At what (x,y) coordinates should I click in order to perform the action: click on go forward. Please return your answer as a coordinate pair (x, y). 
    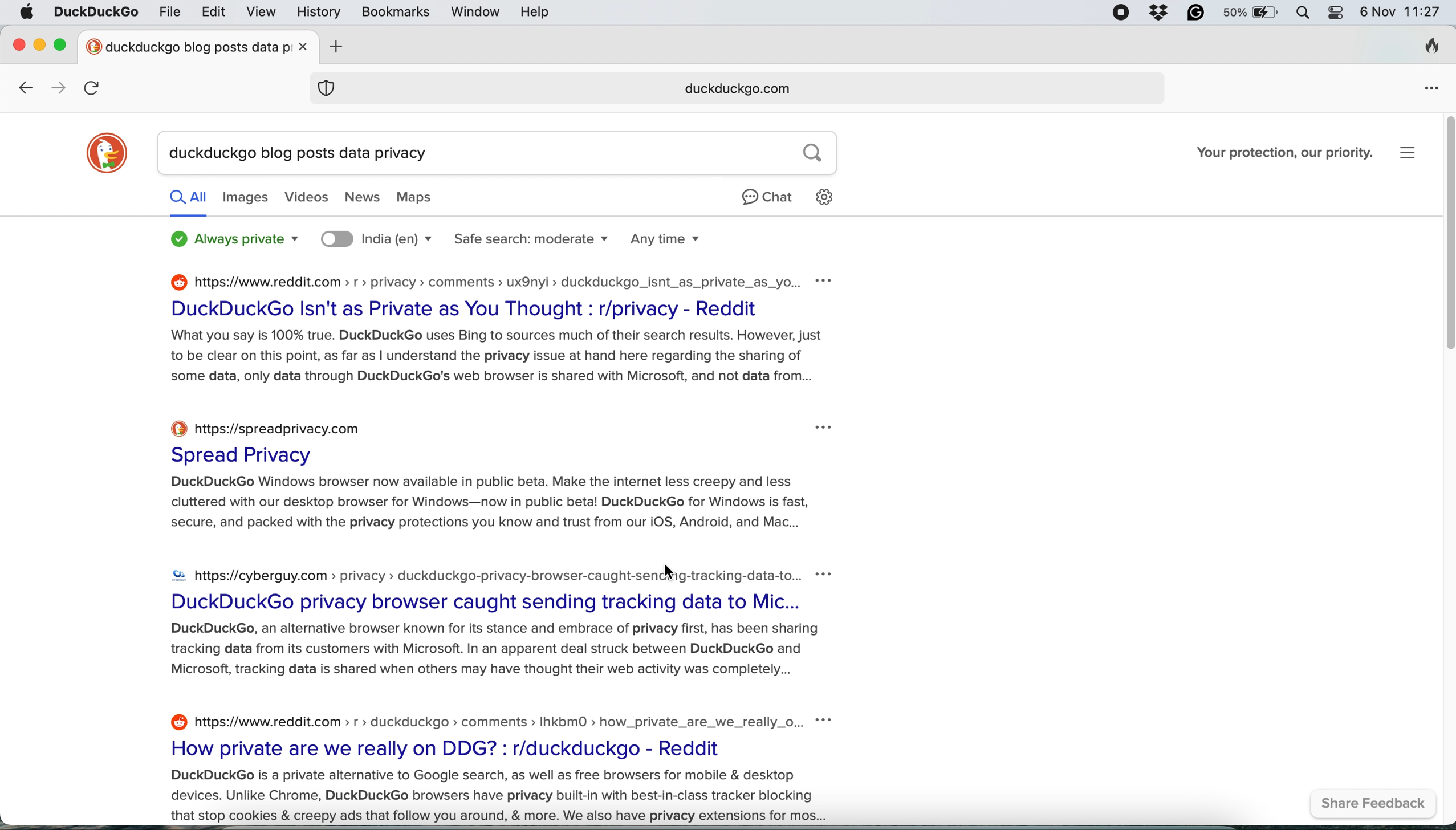
    Looking at the image, I should click on (58, 88).